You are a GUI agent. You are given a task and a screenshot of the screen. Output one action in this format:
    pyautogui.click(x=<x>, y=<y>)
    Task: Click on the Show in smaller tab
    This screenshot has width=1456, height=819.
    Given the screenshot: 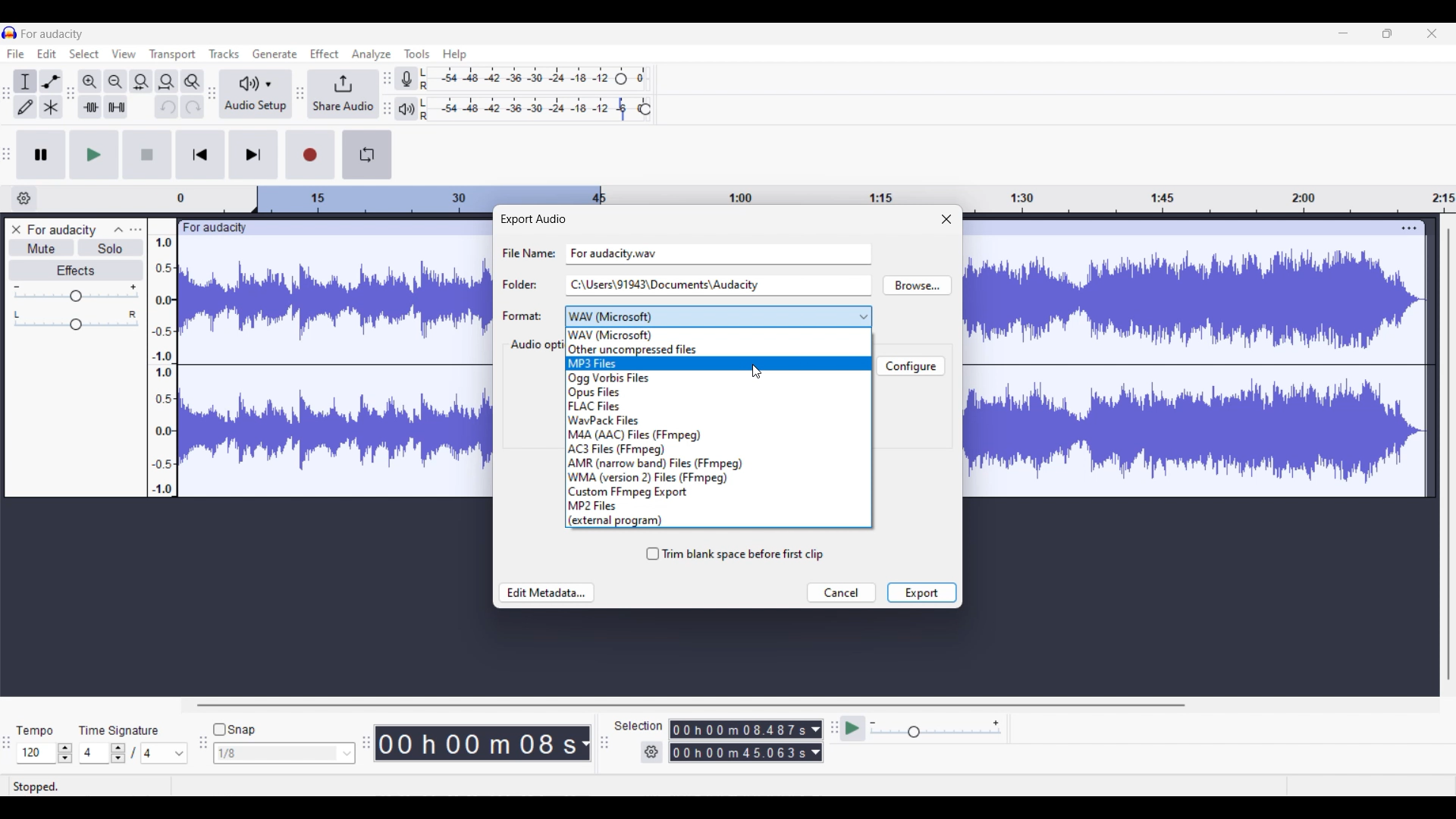 What is the action you would take?
    pyautogui.click(x=1387, y=33)
    